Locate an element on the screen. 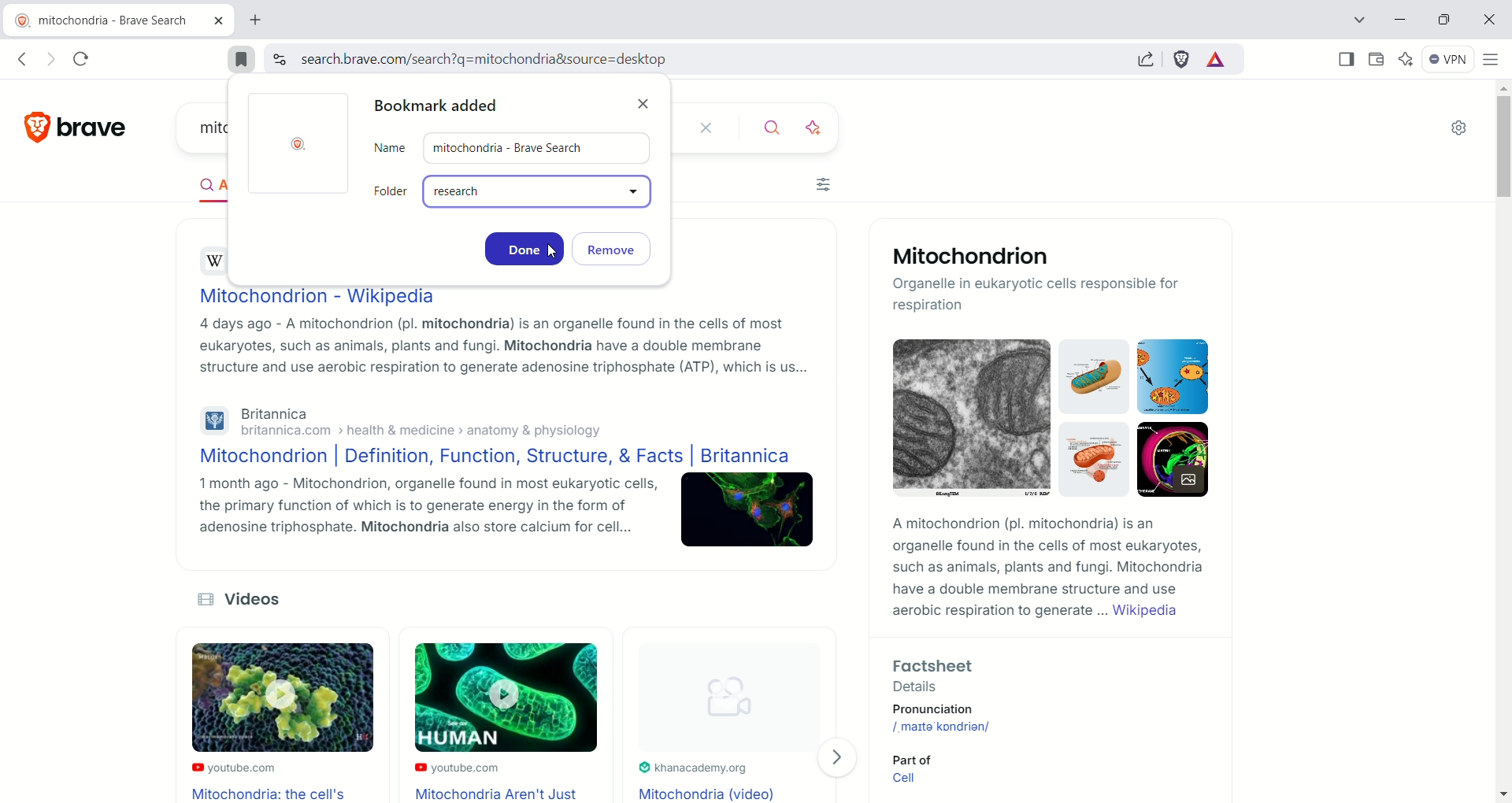  minimize is located at coordinates (1401, 19).